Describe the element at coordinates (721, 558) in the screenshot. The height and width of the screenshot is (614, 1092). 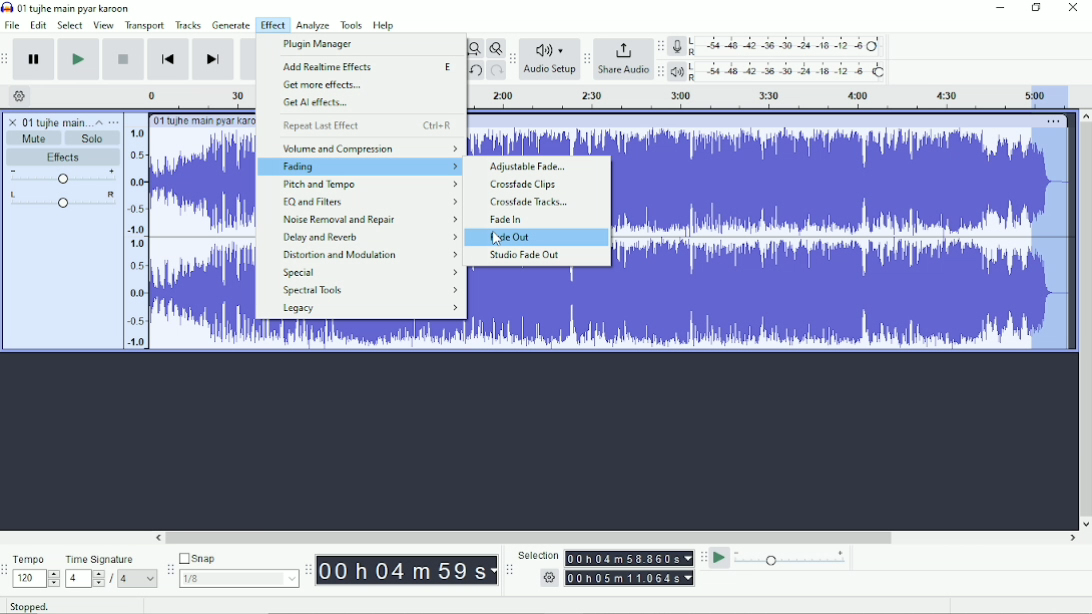
I see `Play-at-speed` at that location.